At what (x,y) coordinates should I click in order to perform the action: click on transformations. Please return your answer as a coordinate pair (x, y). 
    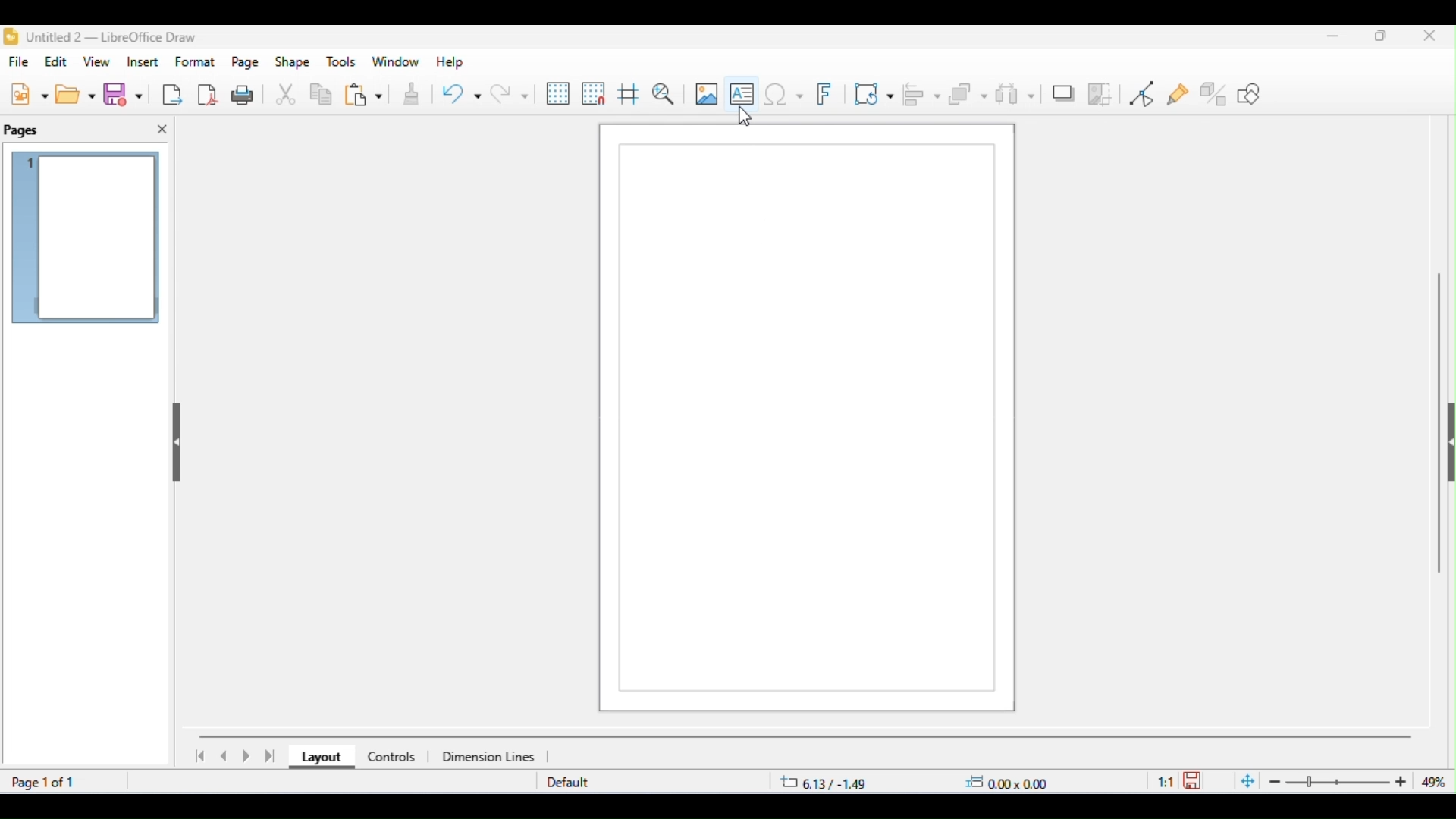
    Looking at the image, I should click on (874, 93).